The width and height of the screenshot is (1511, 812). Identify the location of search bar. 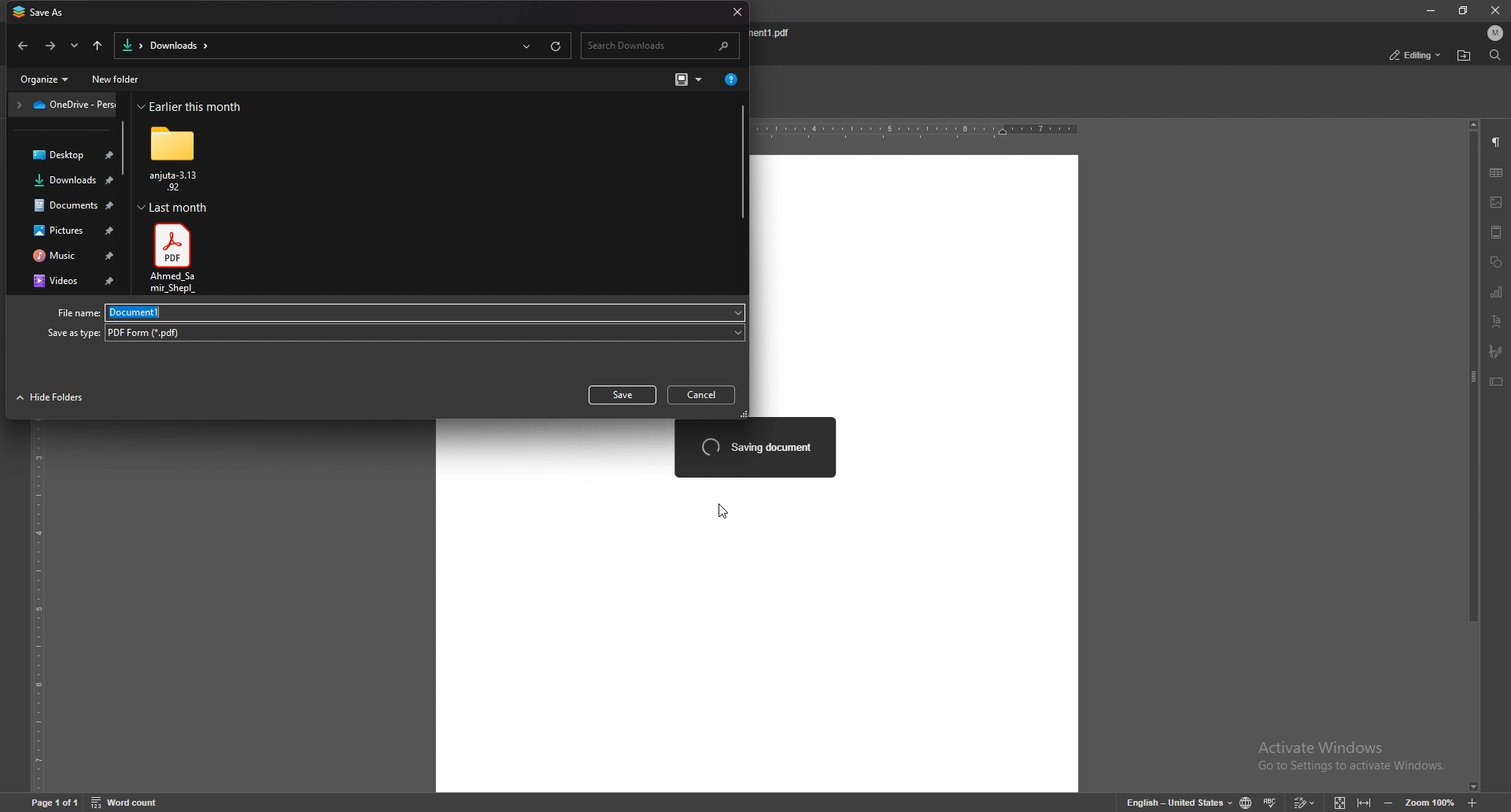
(663, 46).